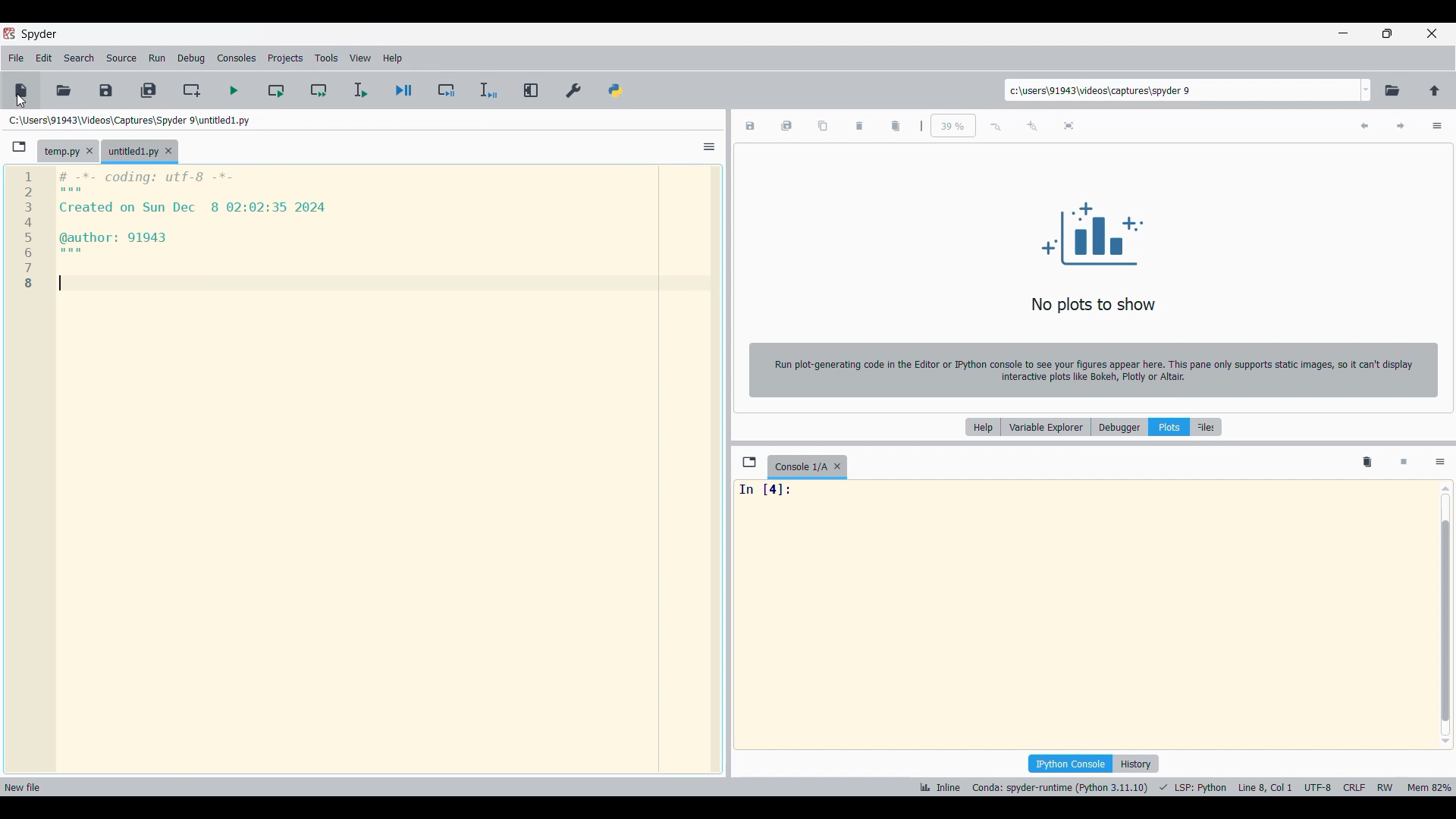 Image resolution: width=1456 pixels, height=819 pixels. What do you see at coordinates (17, 58) in the screenshot?
I see `File menu` at bounding box center [17, 58].